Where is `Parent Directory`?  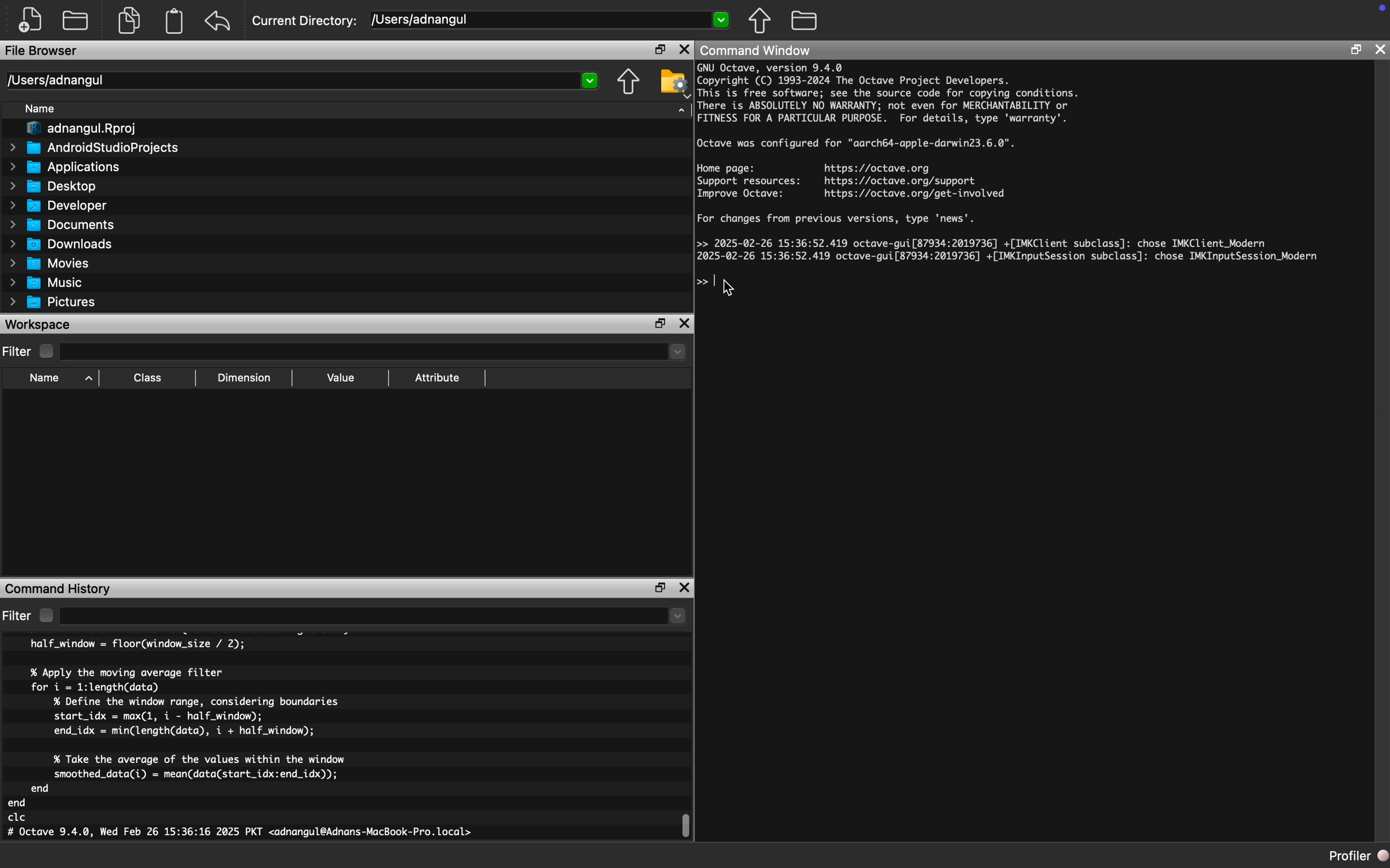 Parent Directory is located at coordinates (630, 83).